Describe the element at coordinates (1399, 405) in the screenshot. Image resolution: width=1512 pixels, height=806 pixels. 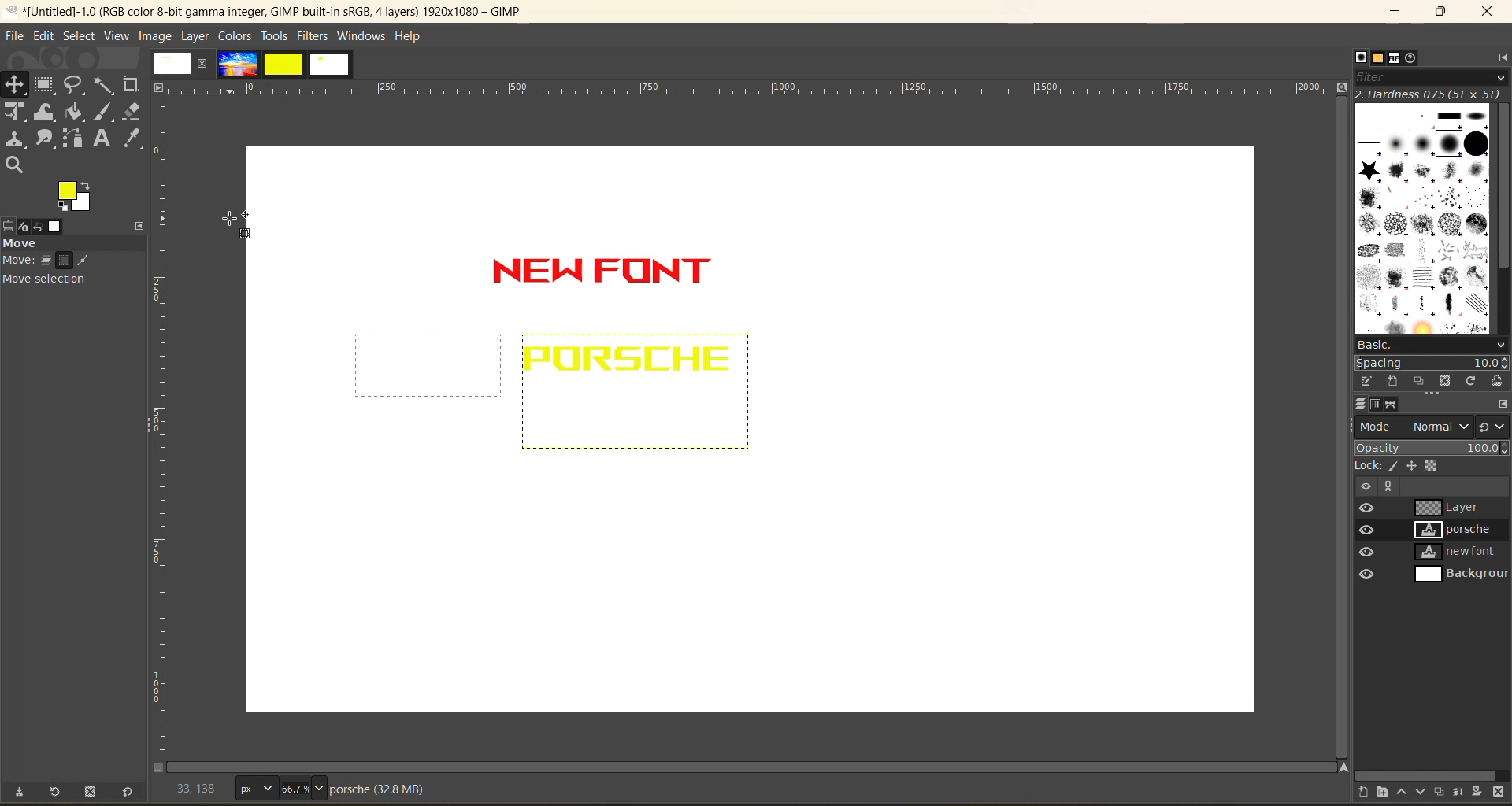
I see `paths` at that location.